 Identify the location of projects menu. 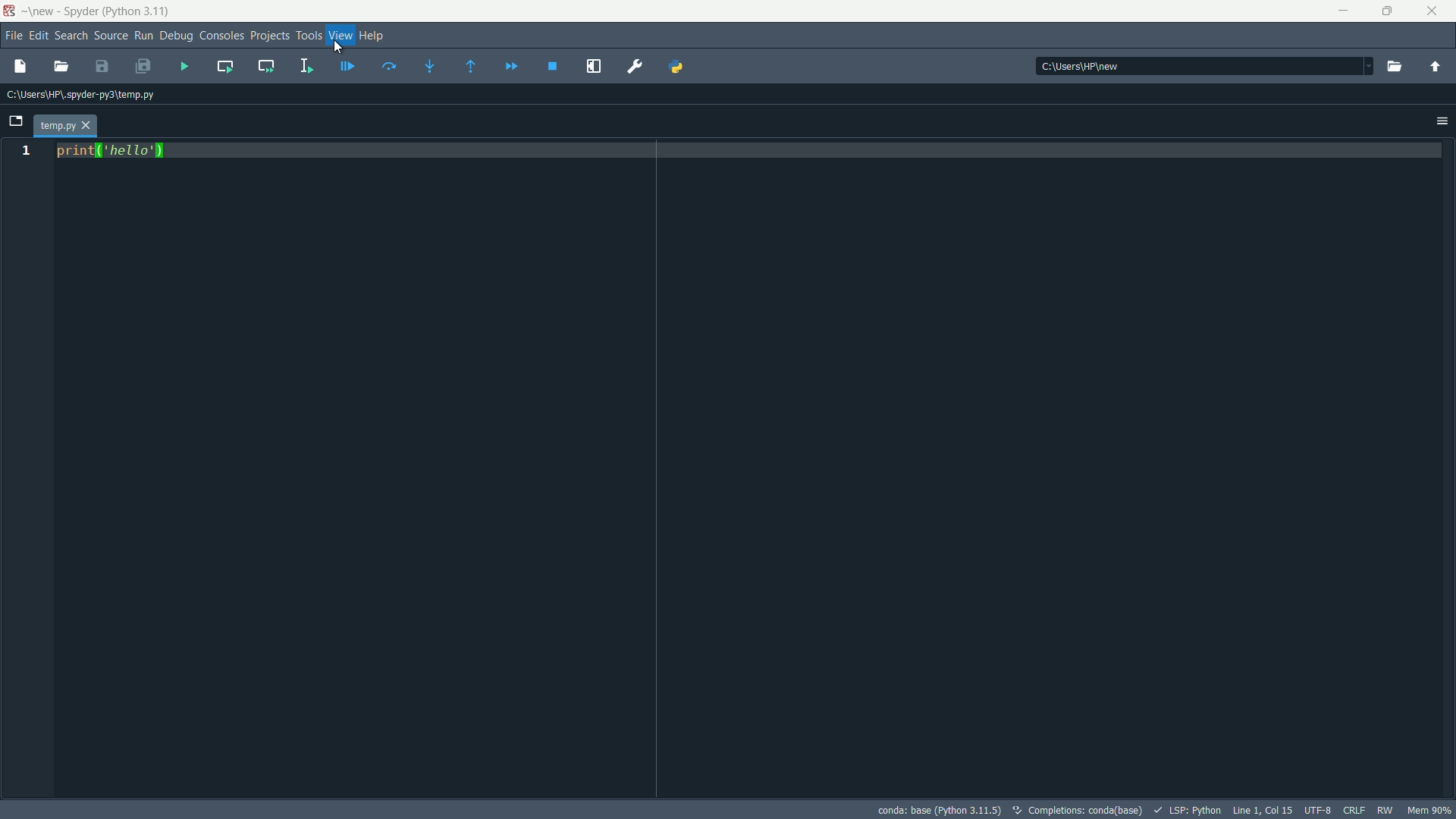
(269, 35).